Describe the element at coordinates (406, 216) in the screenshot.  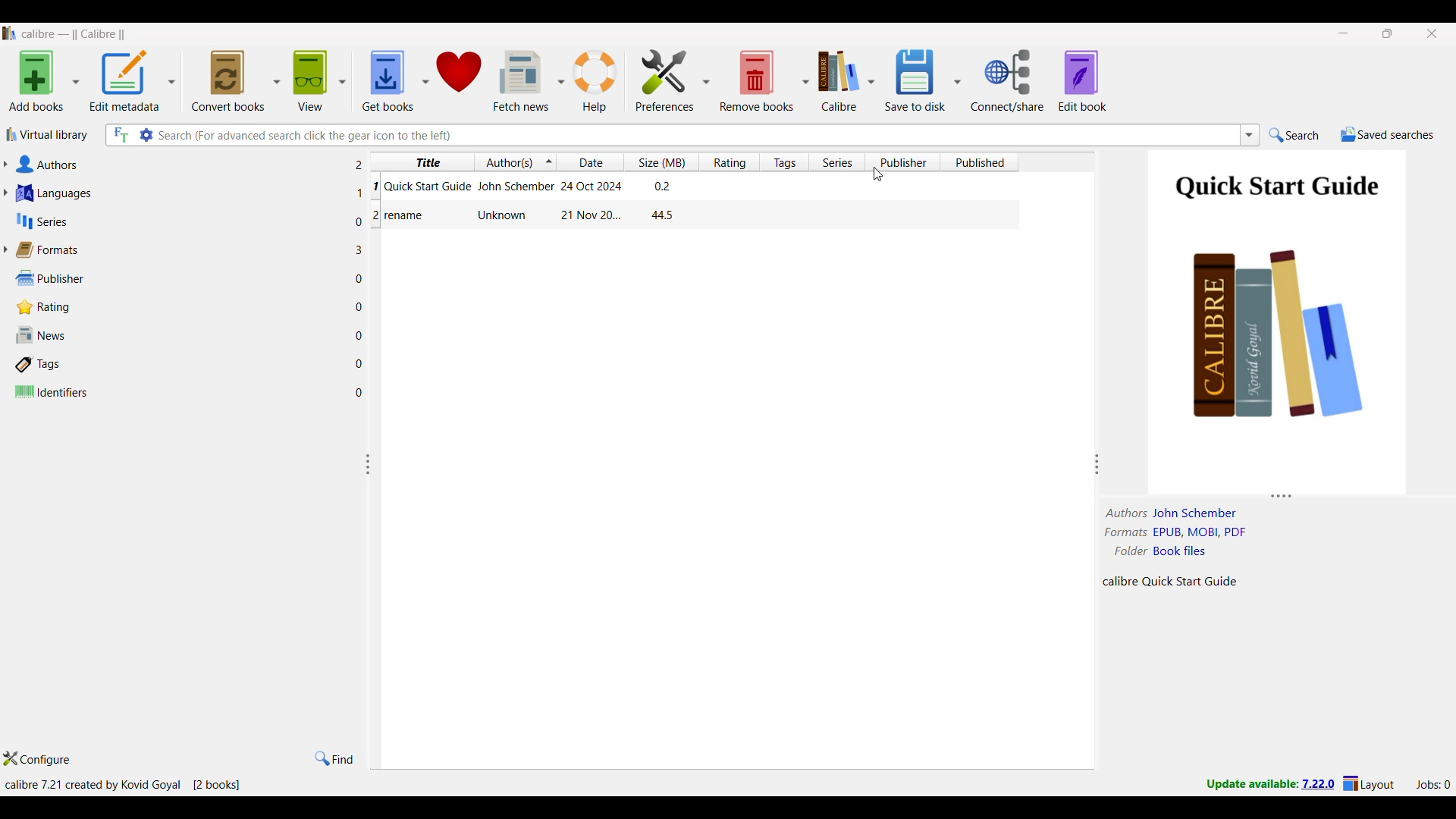
I see `Title` at that location.